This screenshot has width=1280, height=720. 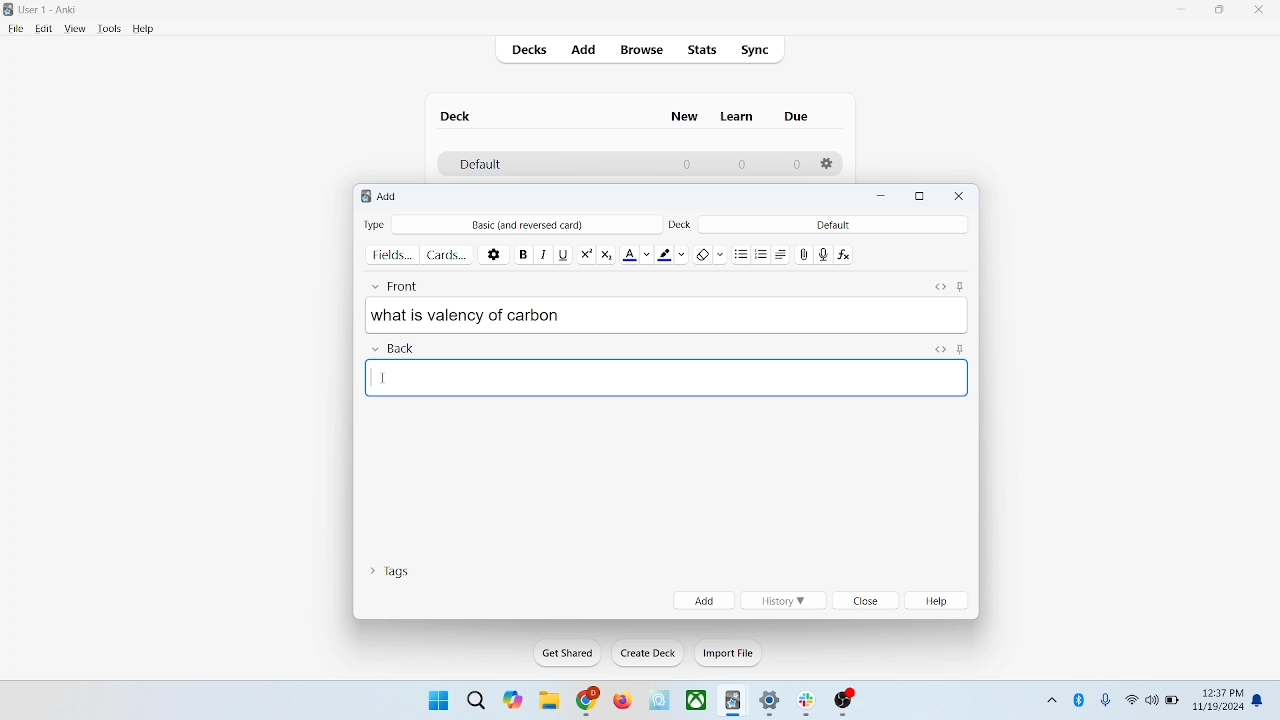 I want to click on back, so click(x=392, y=349).